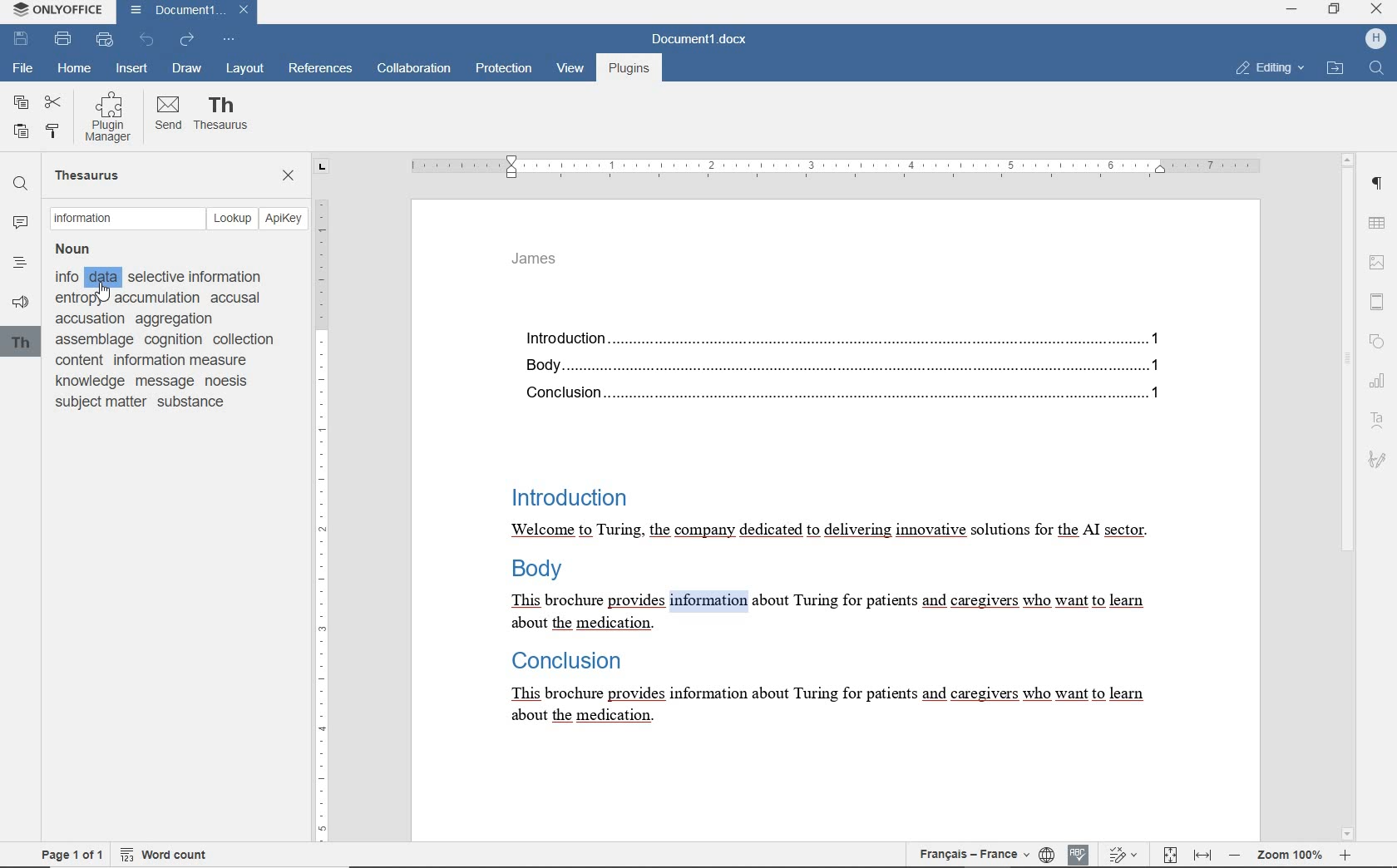  I want to click on SCROLLBAR, so click(1348, 496).